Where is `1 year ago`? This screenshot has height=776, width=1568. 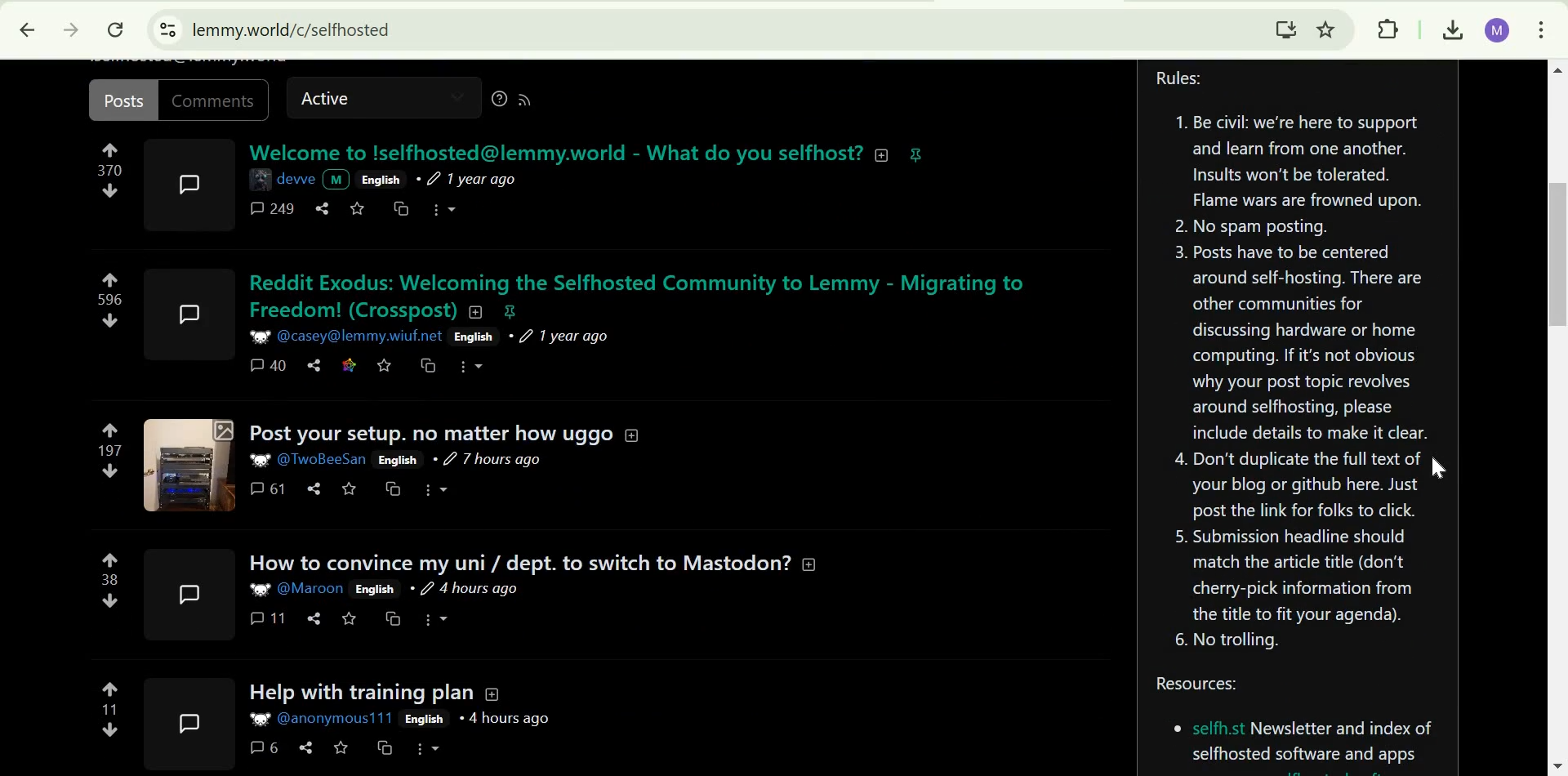 1 year ago is located at coordinates (563, 337).